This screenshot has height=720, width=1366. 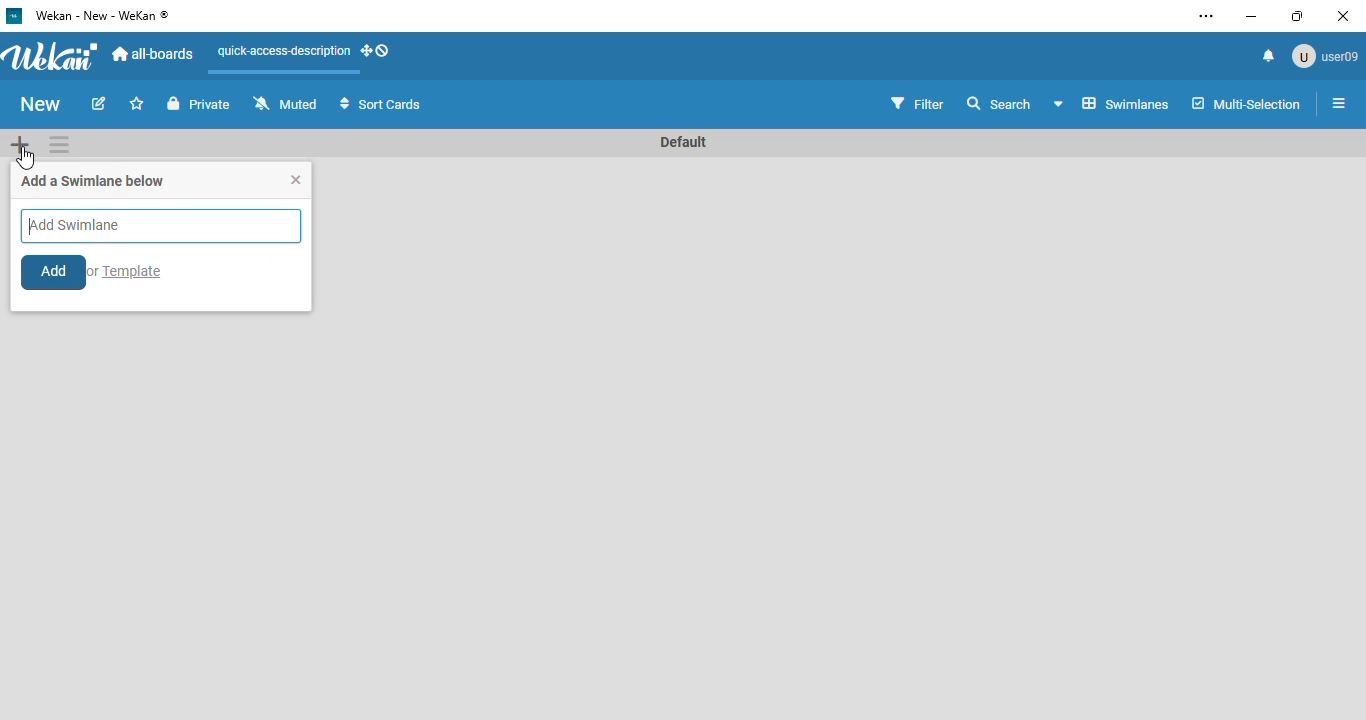 What do you see at coordinates (283, 51) in the screenshot?
I see `quick-access-description` at bounding box center [283, 51].